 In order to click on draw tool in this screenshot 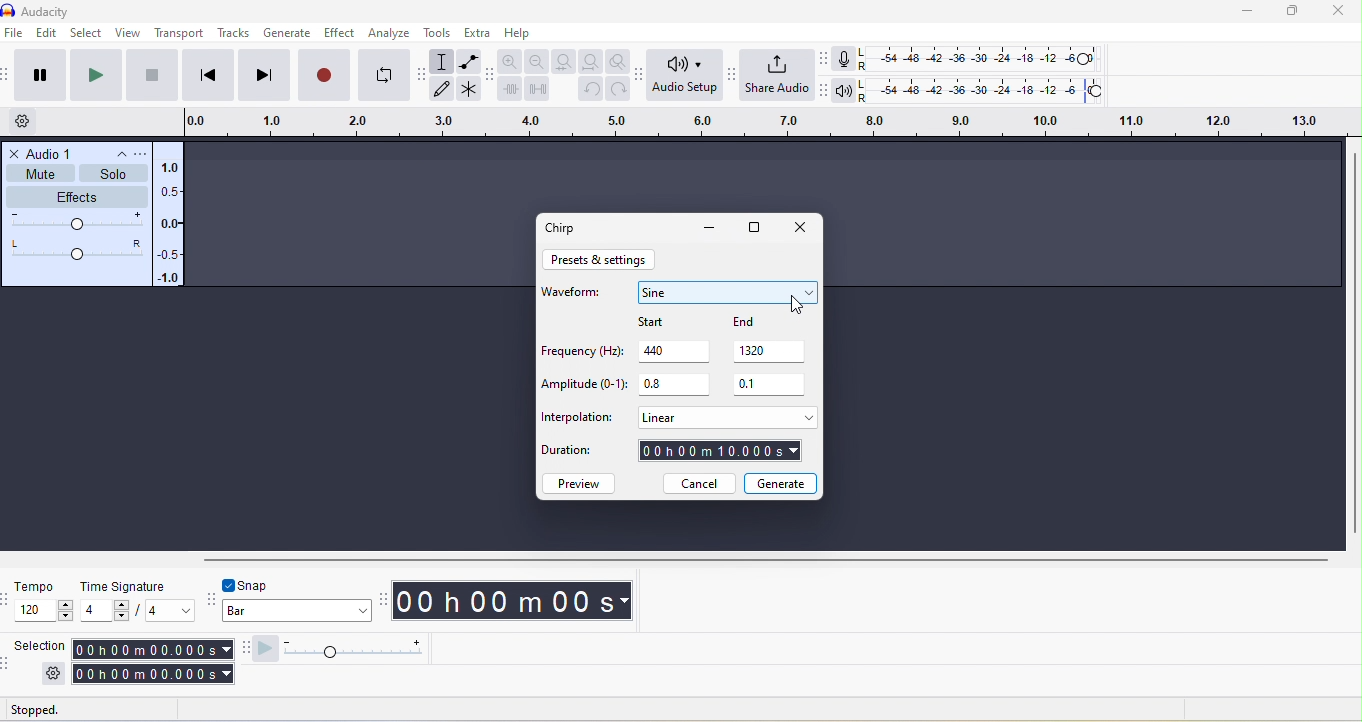, I will do `click(442, 89)`.